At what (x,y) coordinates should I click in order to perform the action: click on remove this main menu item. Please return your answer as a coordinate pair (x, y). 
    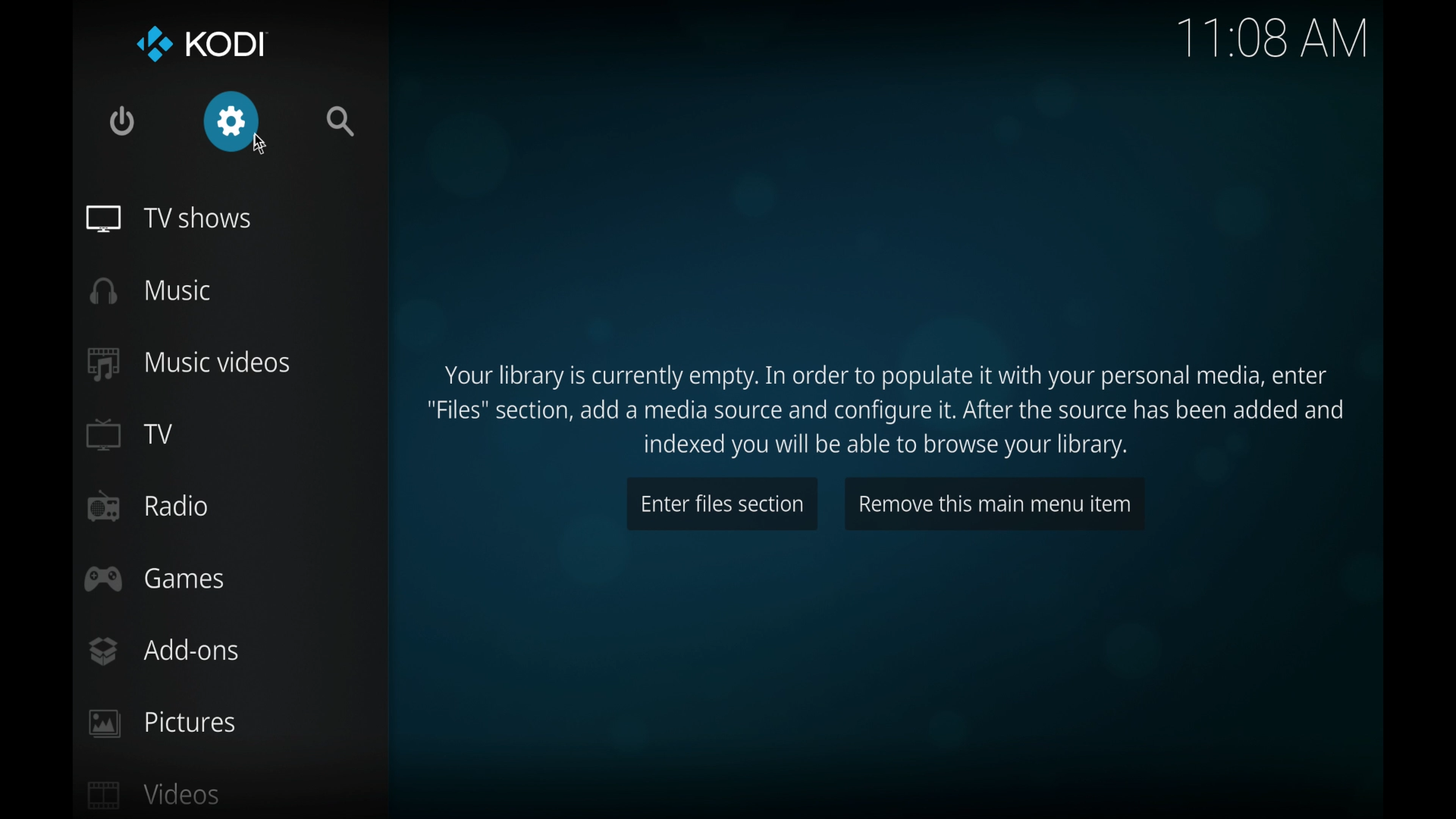
    Looking at the image, I should click on (995, 504).